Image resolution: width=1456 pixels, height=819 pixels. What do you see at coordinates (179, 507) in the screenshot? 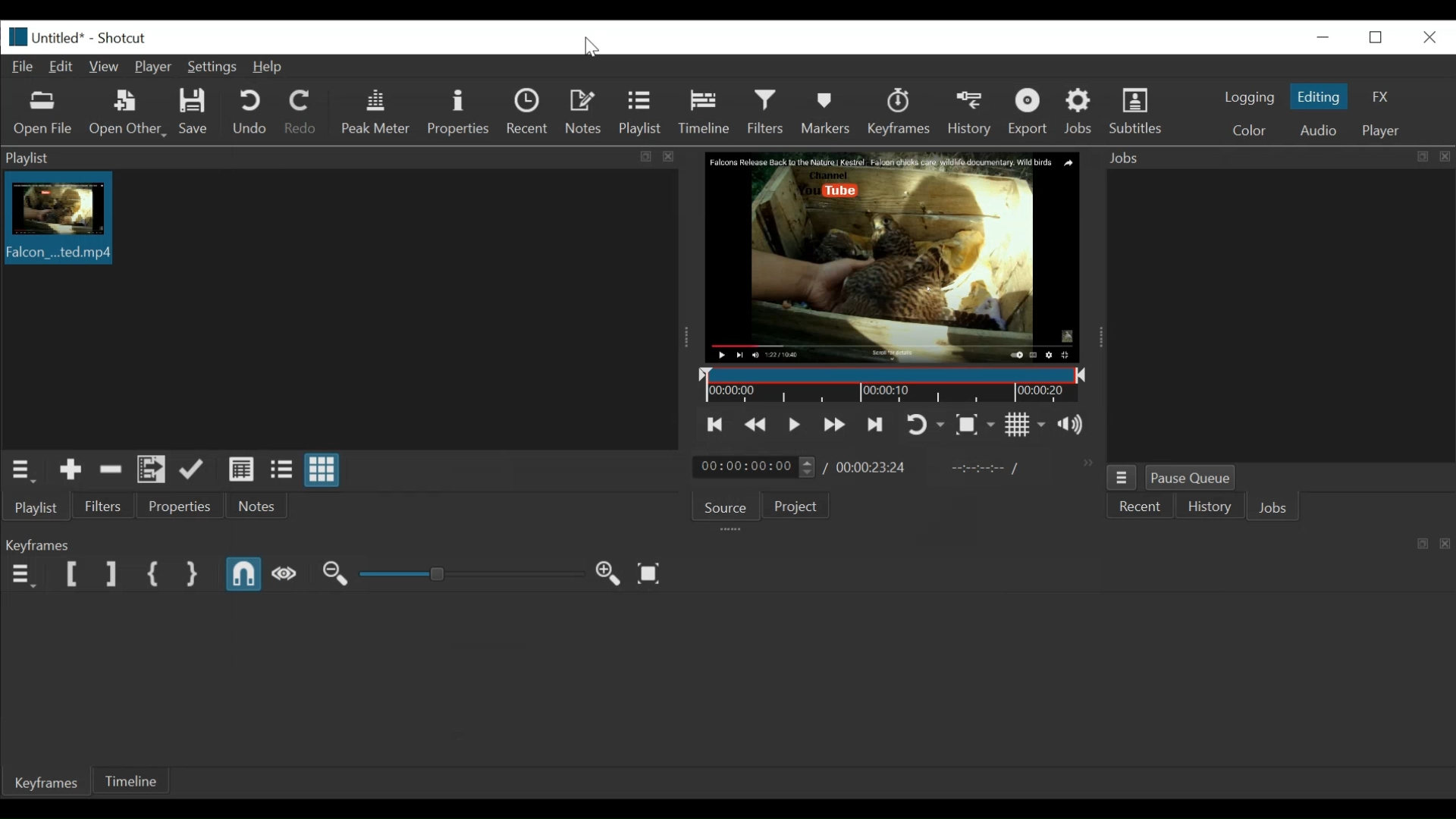
I see `Properties` at bounding box center [179, 507].